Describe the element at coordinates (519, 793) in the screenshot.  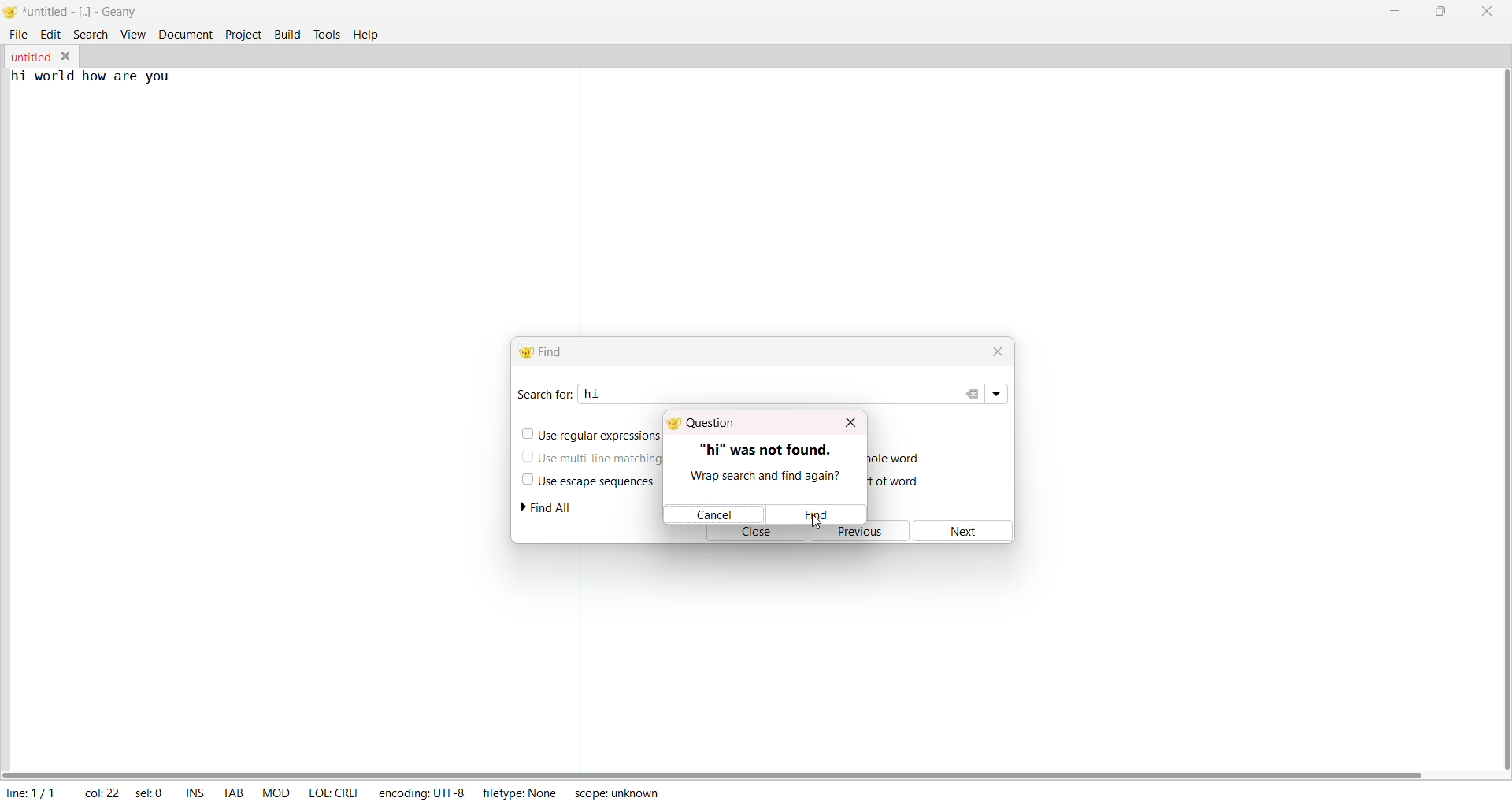
I see `filetype: none` at that location.